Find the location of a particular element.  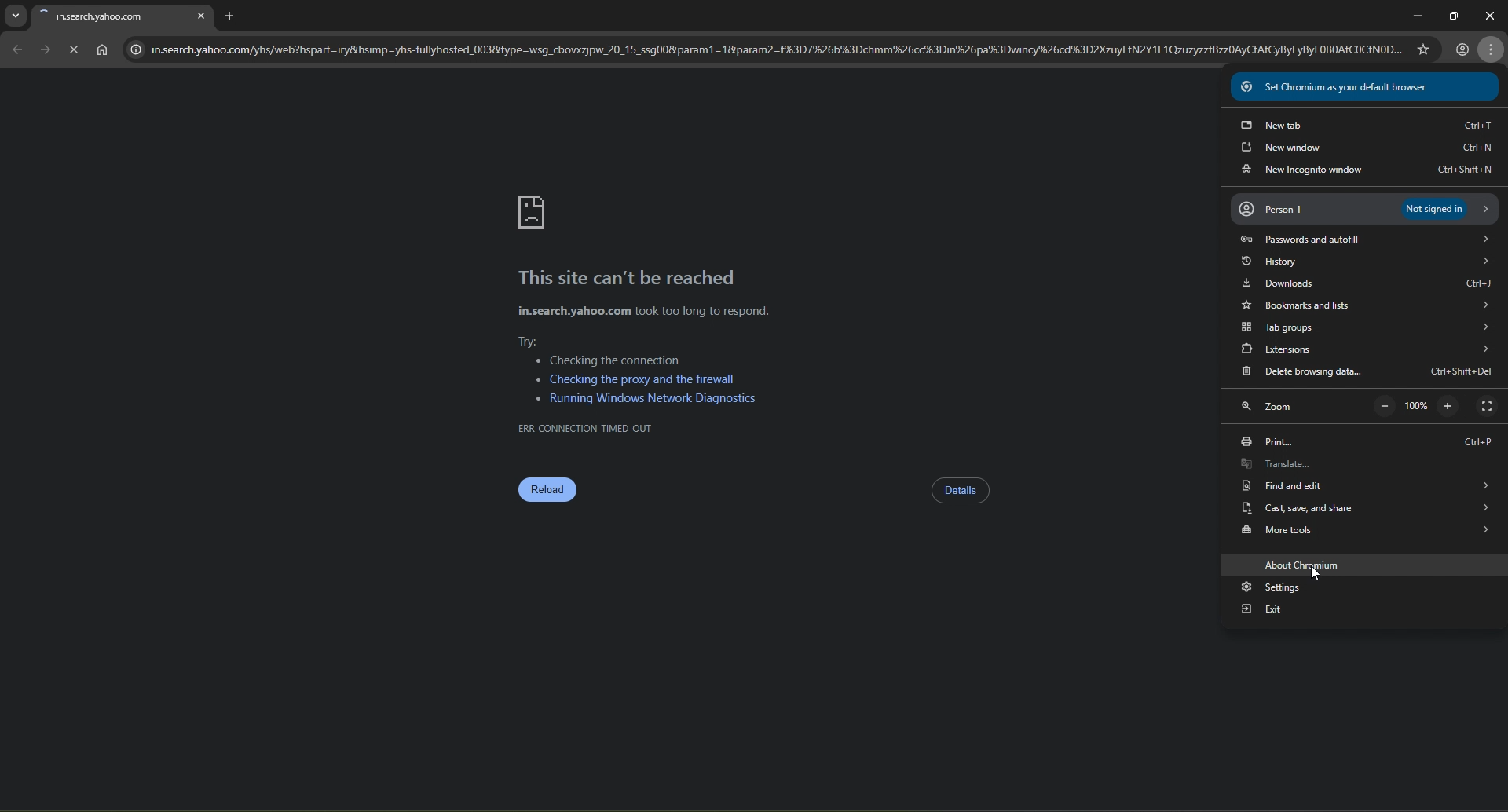

mouse pointer is located at coordinates (1314, 574).